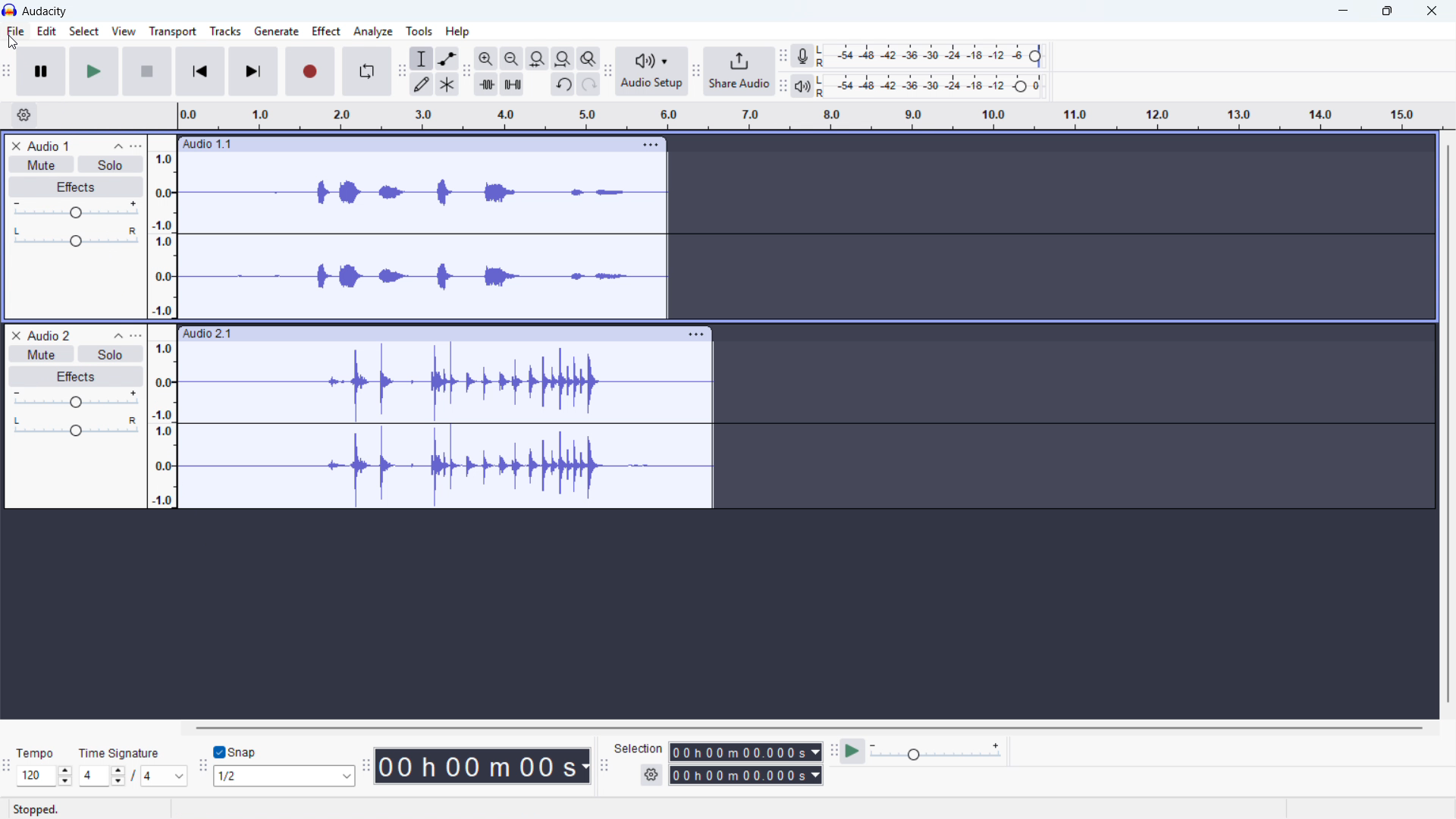 The width and height of the screenshot is (1456, 819). Describe the element at coordinates (589, 84) in the screenshot. I see `Redo` at that location.